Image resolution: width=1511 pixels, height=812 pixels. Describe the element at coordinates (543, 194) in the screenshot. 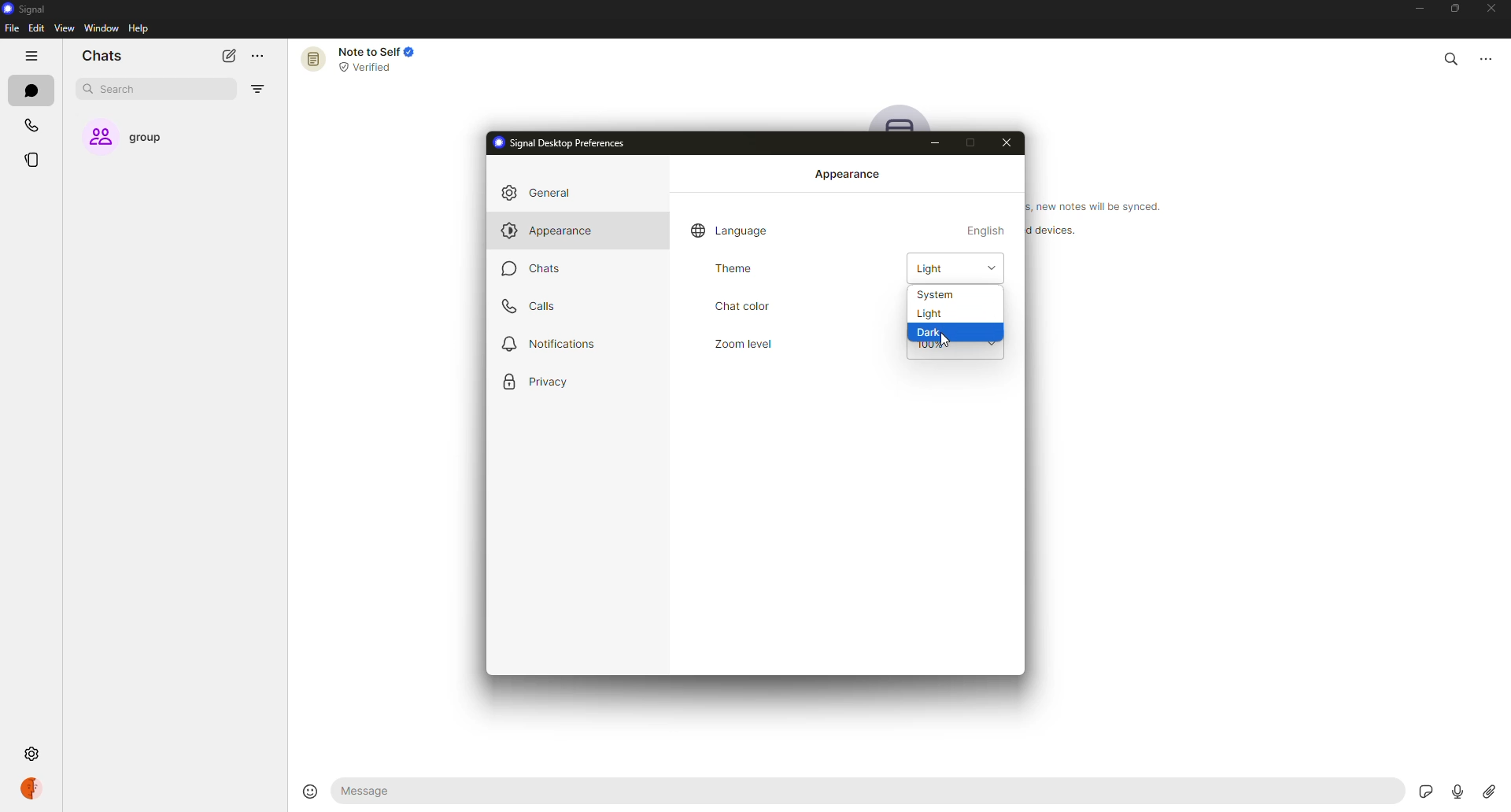

I see `general` at that location.